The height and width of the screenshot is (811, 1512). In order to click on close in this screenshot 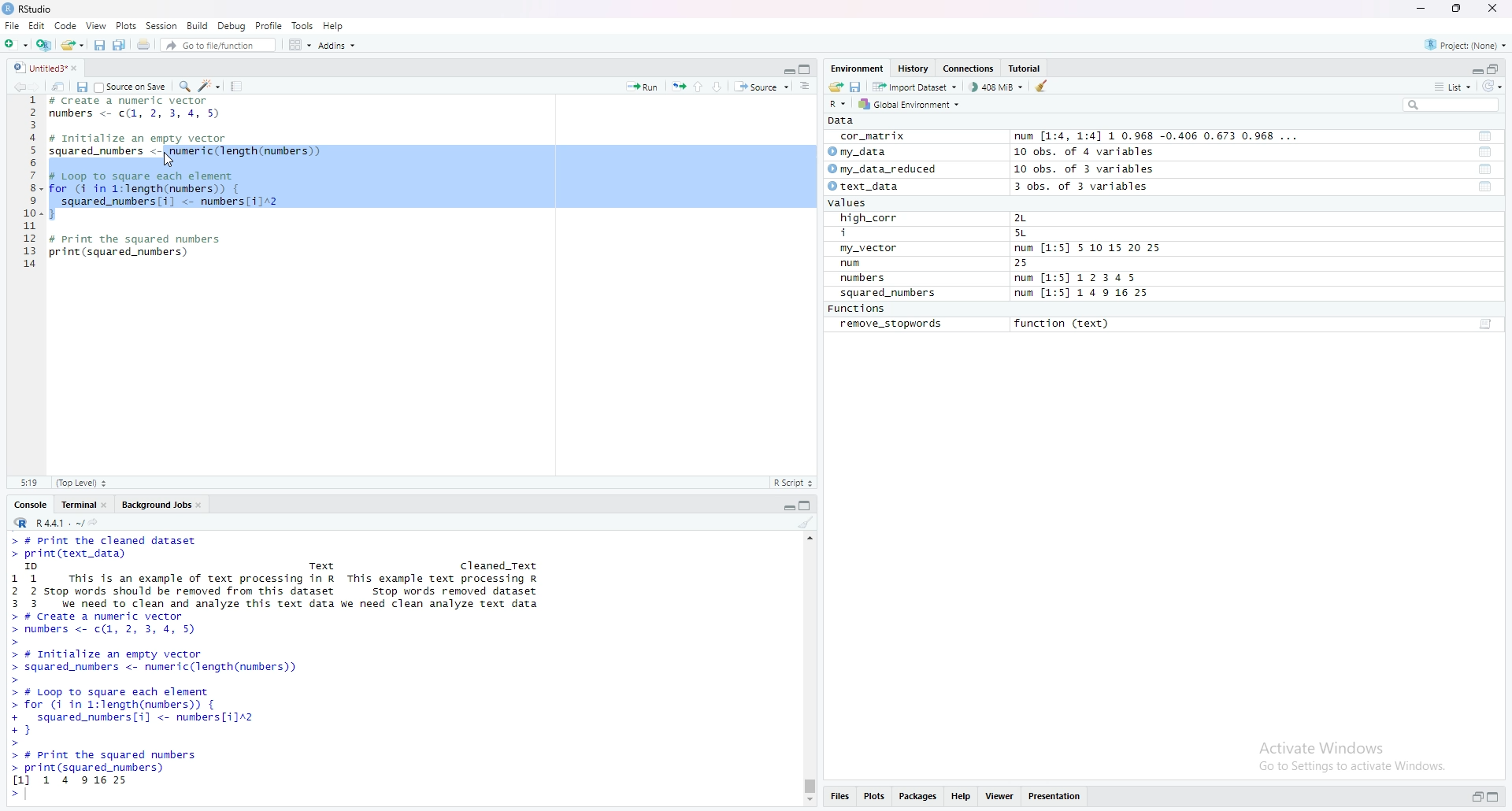, I will do `click(80, 67)`.